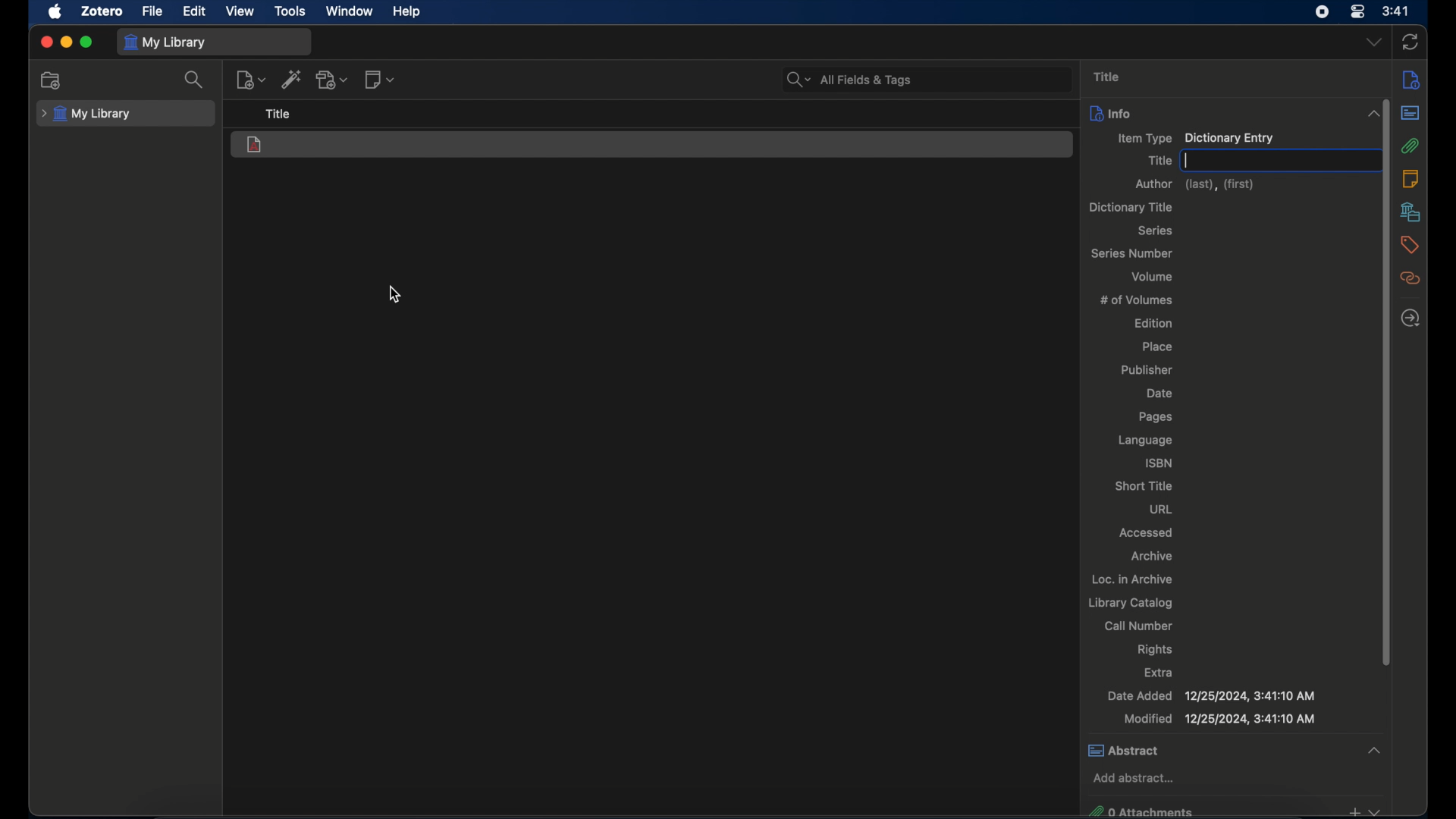 Image resolution: width=1456 pixels, height=819 pixels. Describe the element at coordinates (1147, 441) in the screenshot. I see `language` at that location.